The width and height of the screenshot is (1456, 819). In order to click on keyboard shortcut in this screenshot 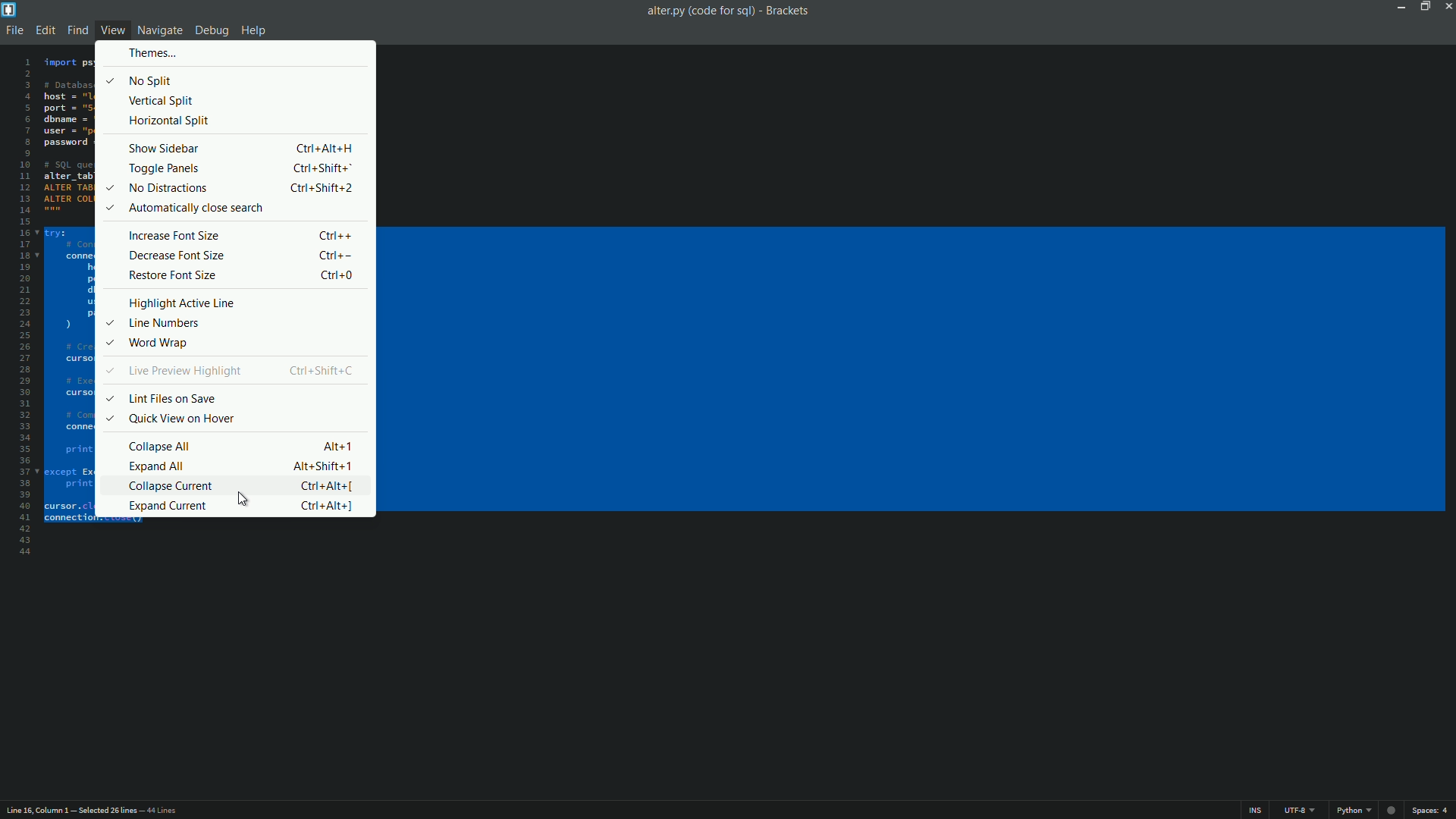, I will do `click(324, 170)`.